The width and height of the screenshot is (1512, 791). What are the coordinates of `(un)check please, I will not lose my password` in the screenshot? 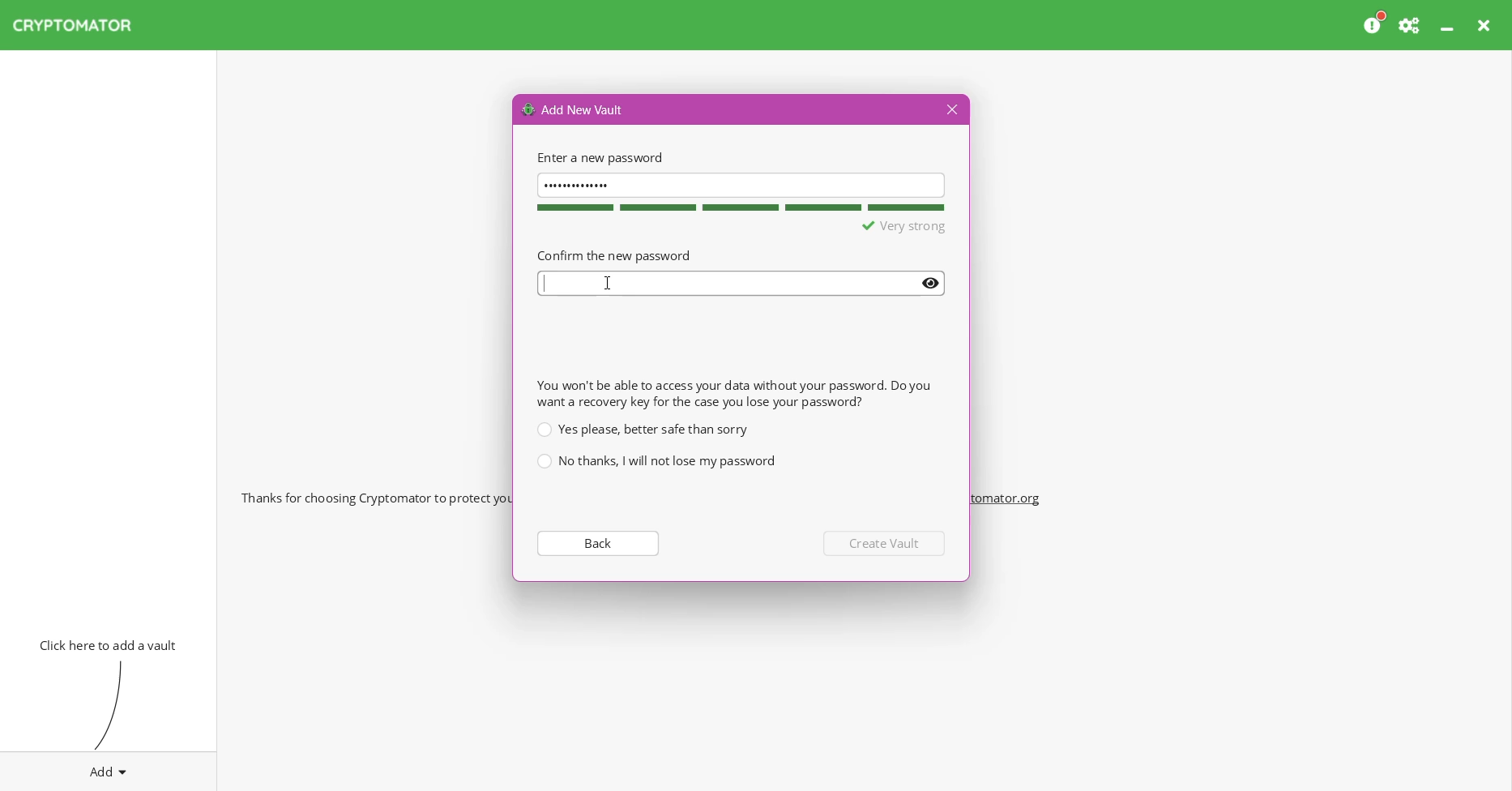 It's located at (656, 461).